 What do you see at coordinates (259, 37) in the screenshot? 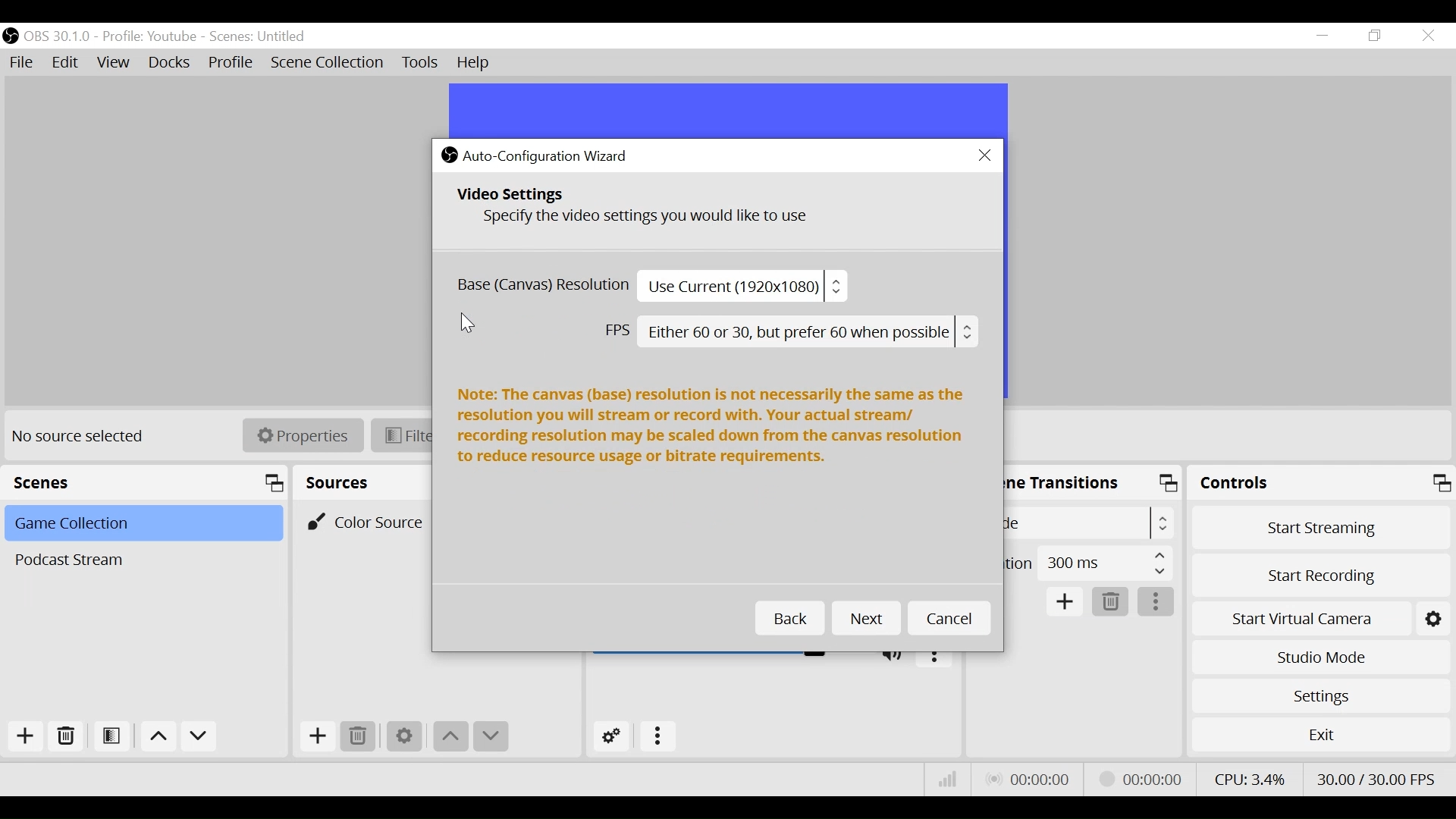
I see `scene` at bounding box center [259, 37].